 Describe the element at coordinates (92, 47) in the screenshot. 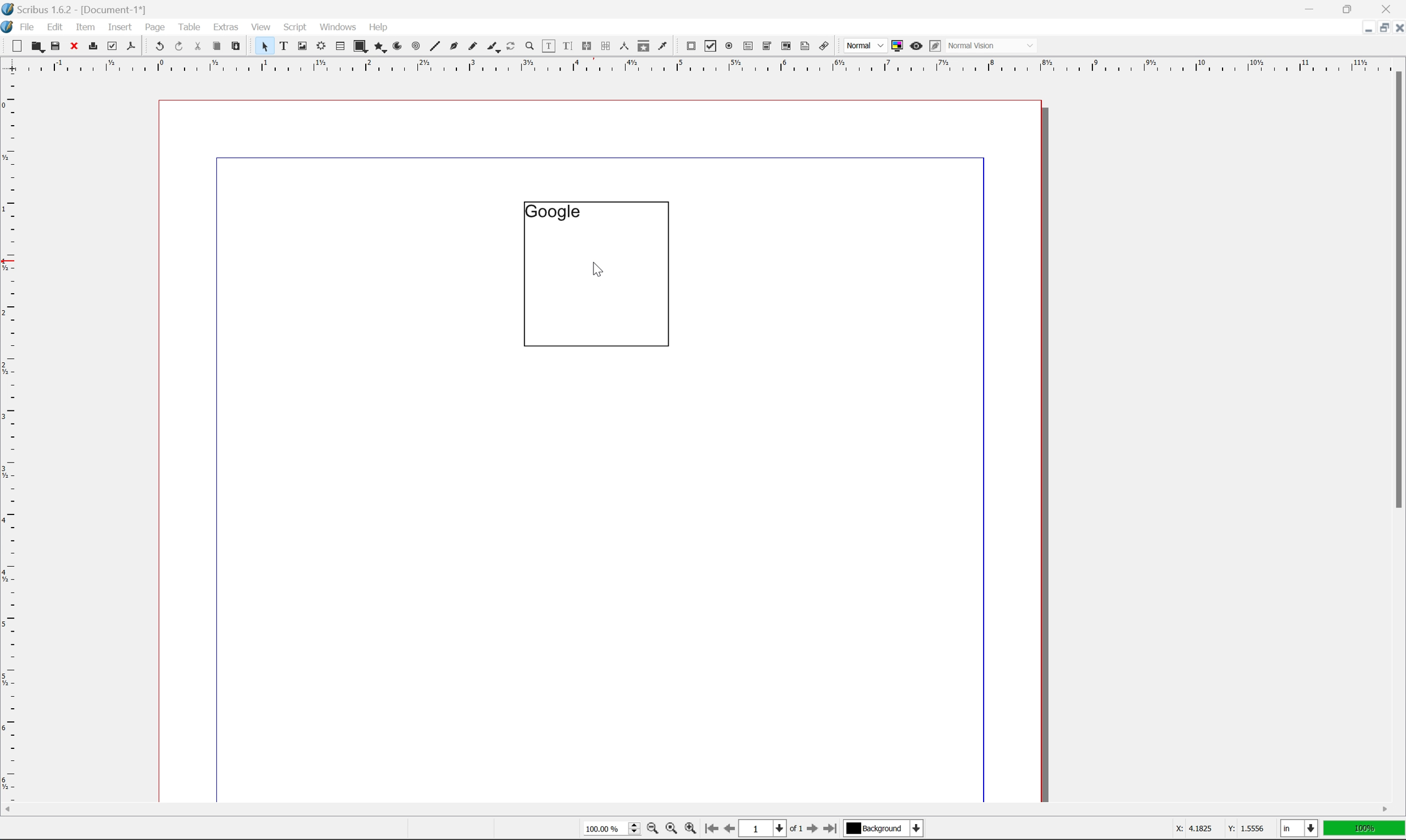

I see `print` at that location.